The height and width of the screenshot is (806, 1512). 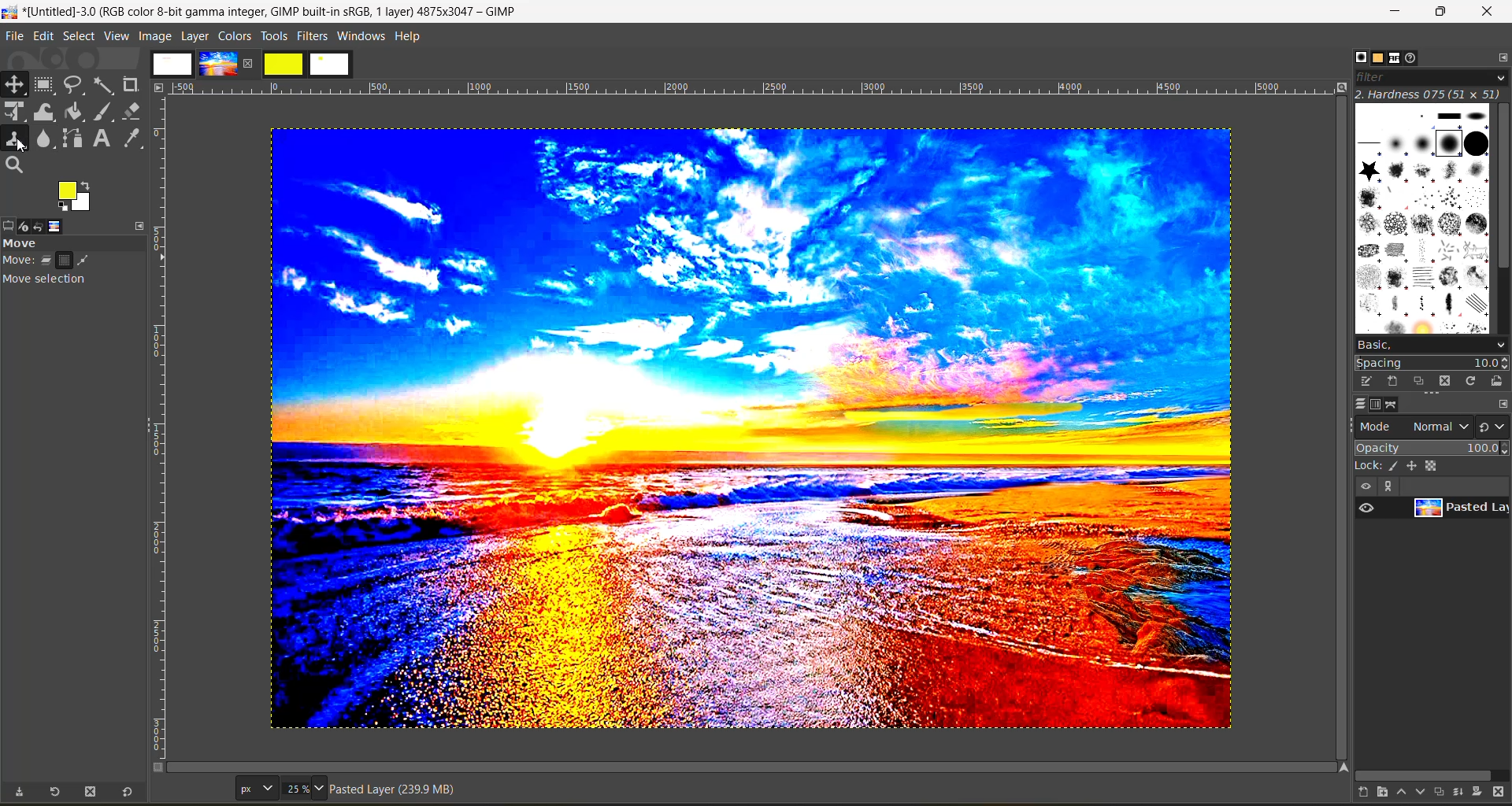 What do you see at coordinates (91, 793) in the screenshot?
I see `delete tool preset` at bounding box center [91, 793].